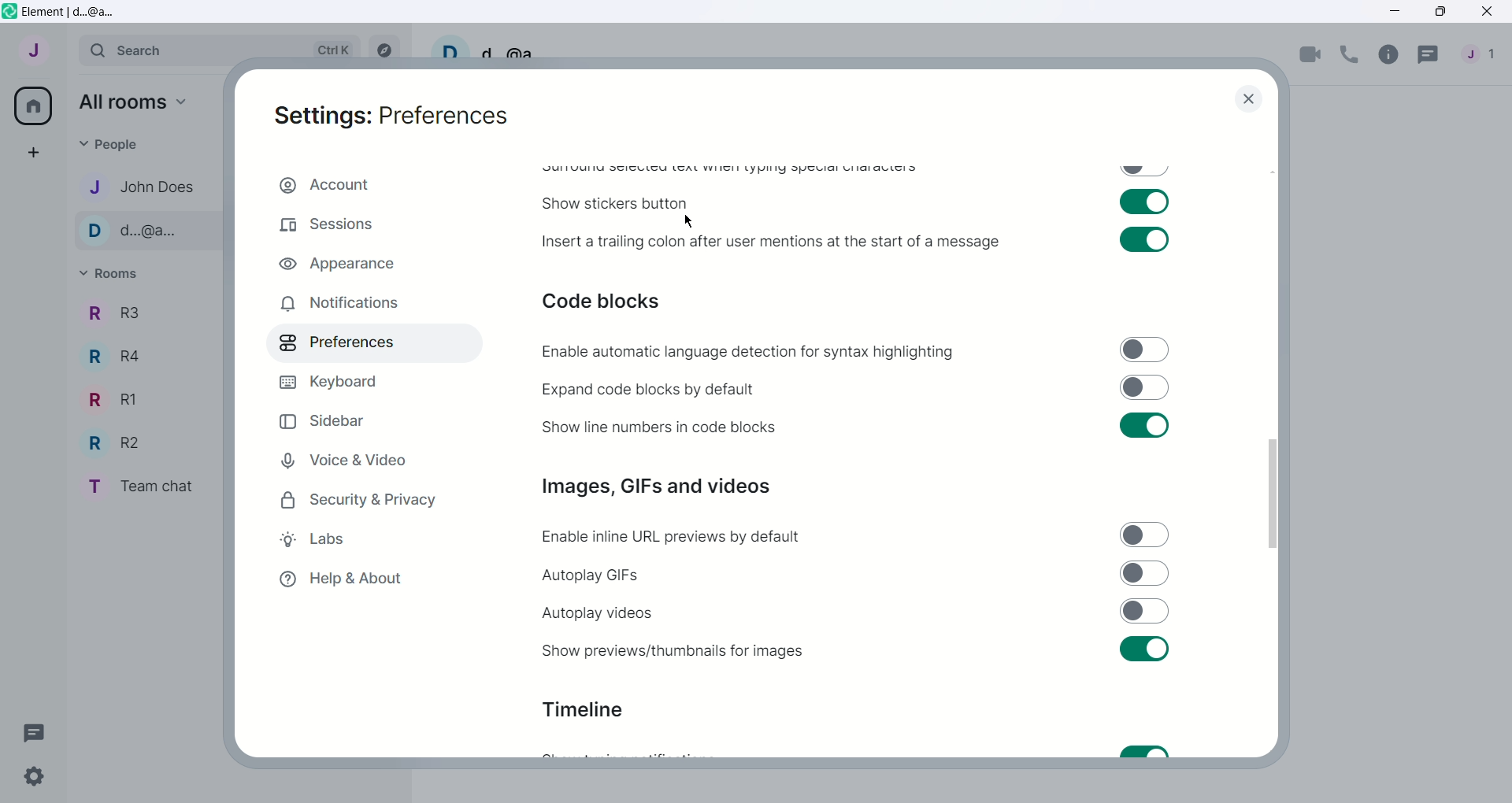  Describe the element at coordinates (1484, 56) in the screenshot. I see `People` at that location.